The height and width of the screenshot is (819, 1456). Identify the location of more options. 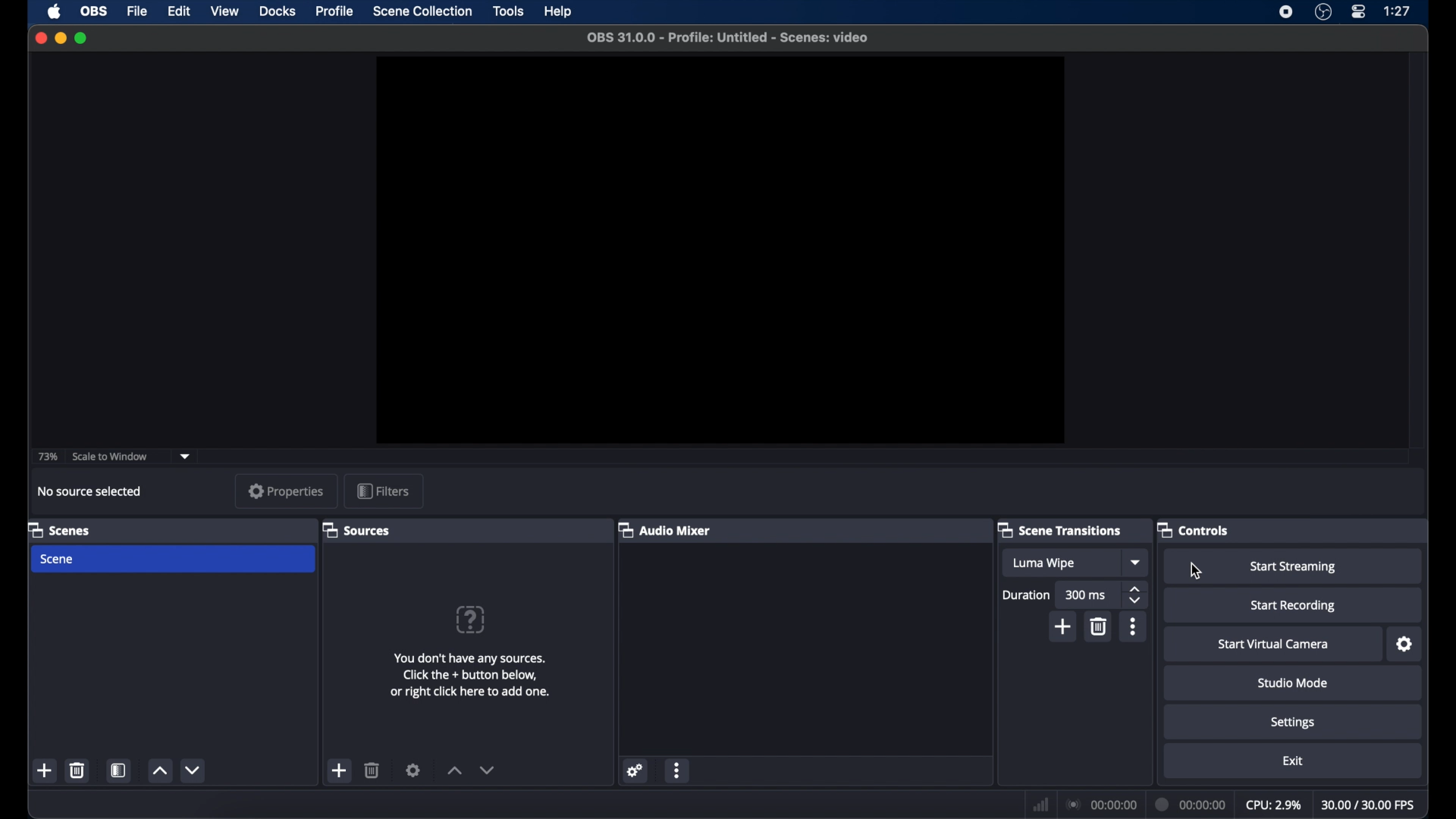
(1134, 626).